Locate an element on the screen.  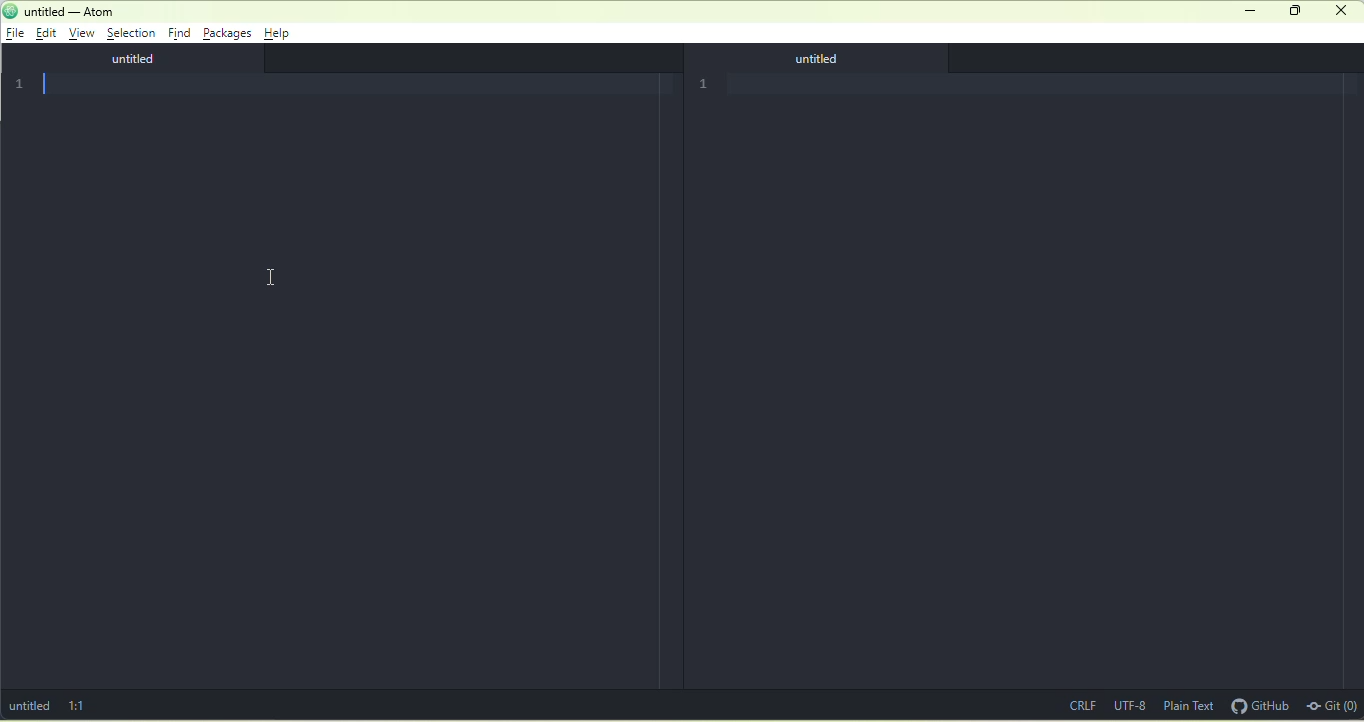
close is located at coordinates (826, 60).